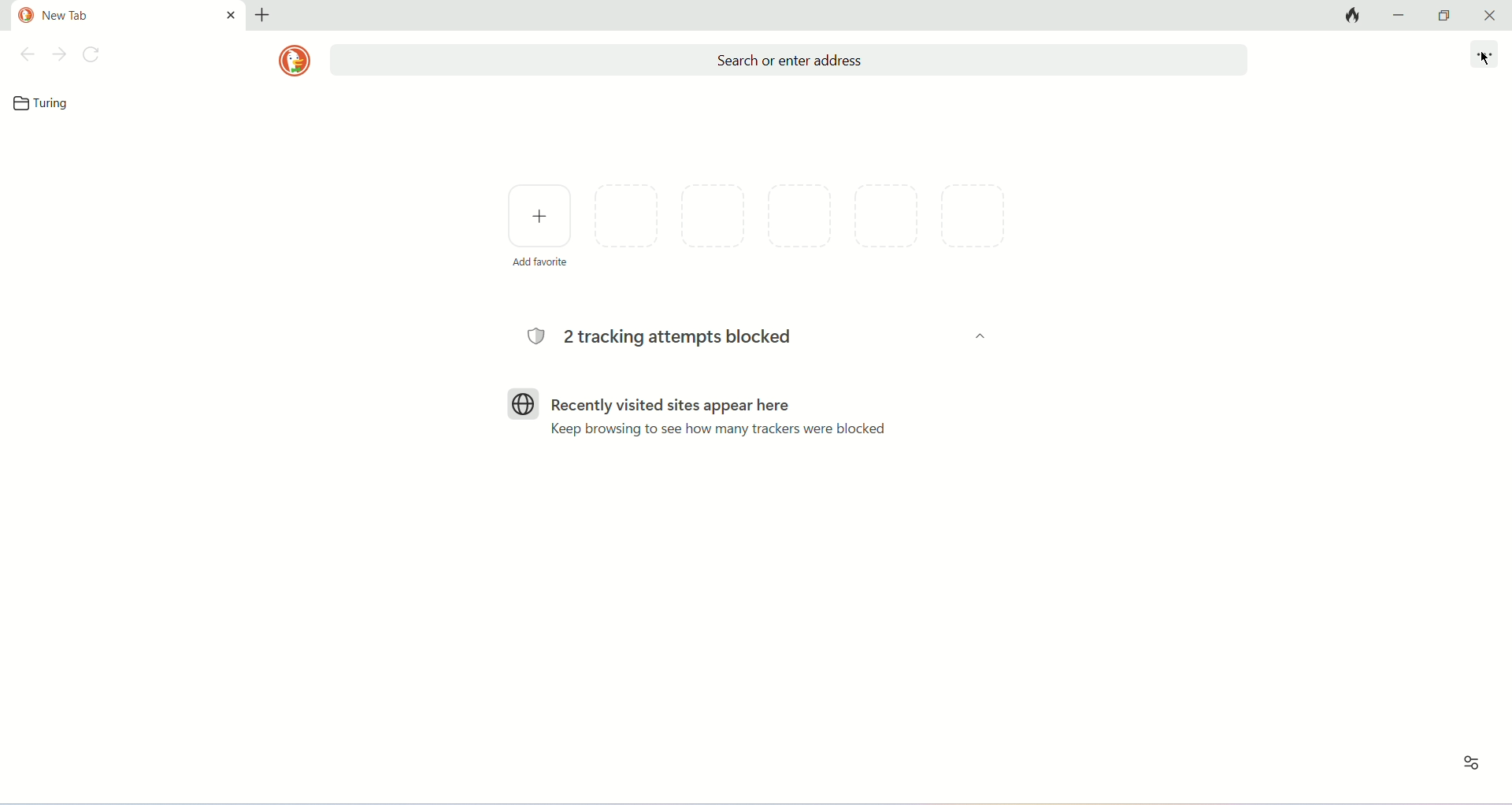  Describe the element at coordinates (656, 338) in the screenshot. I see ` 2 tracking attempts blocked` at that location.